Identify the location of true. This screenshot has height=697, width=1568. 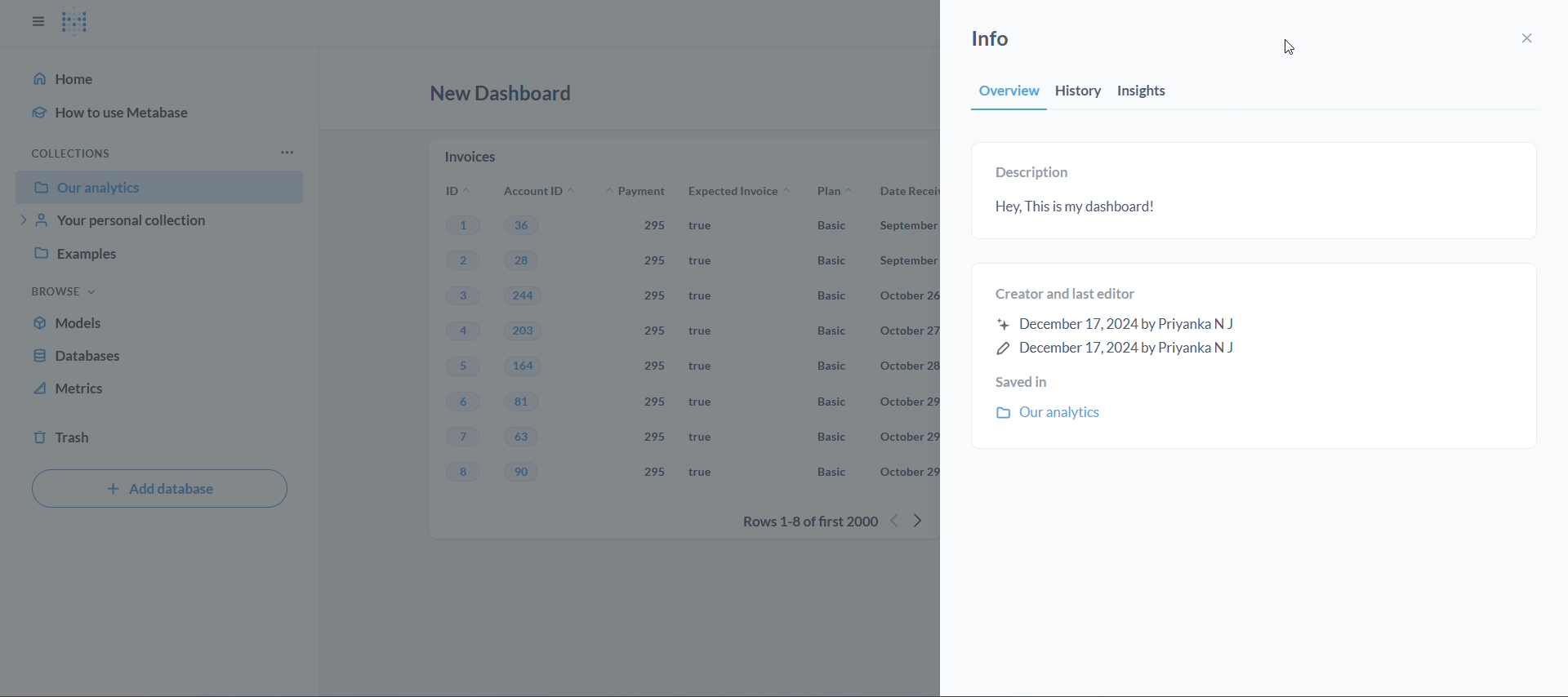
(706, 331).